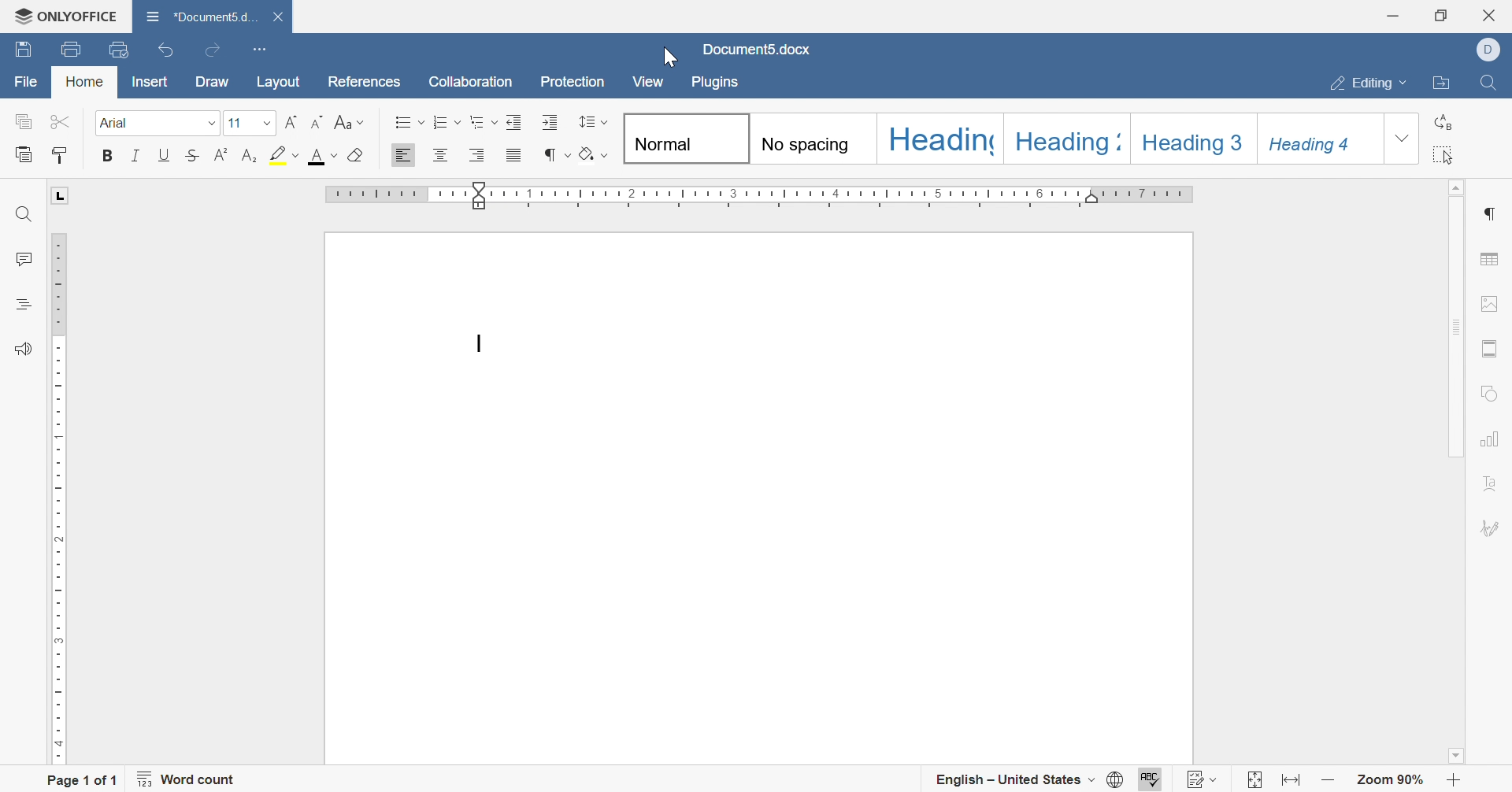 The image size is (1512, 792). Describe the element at coordinates (554, 154) in the screenshot. I see `nonprinting characters` at that location.